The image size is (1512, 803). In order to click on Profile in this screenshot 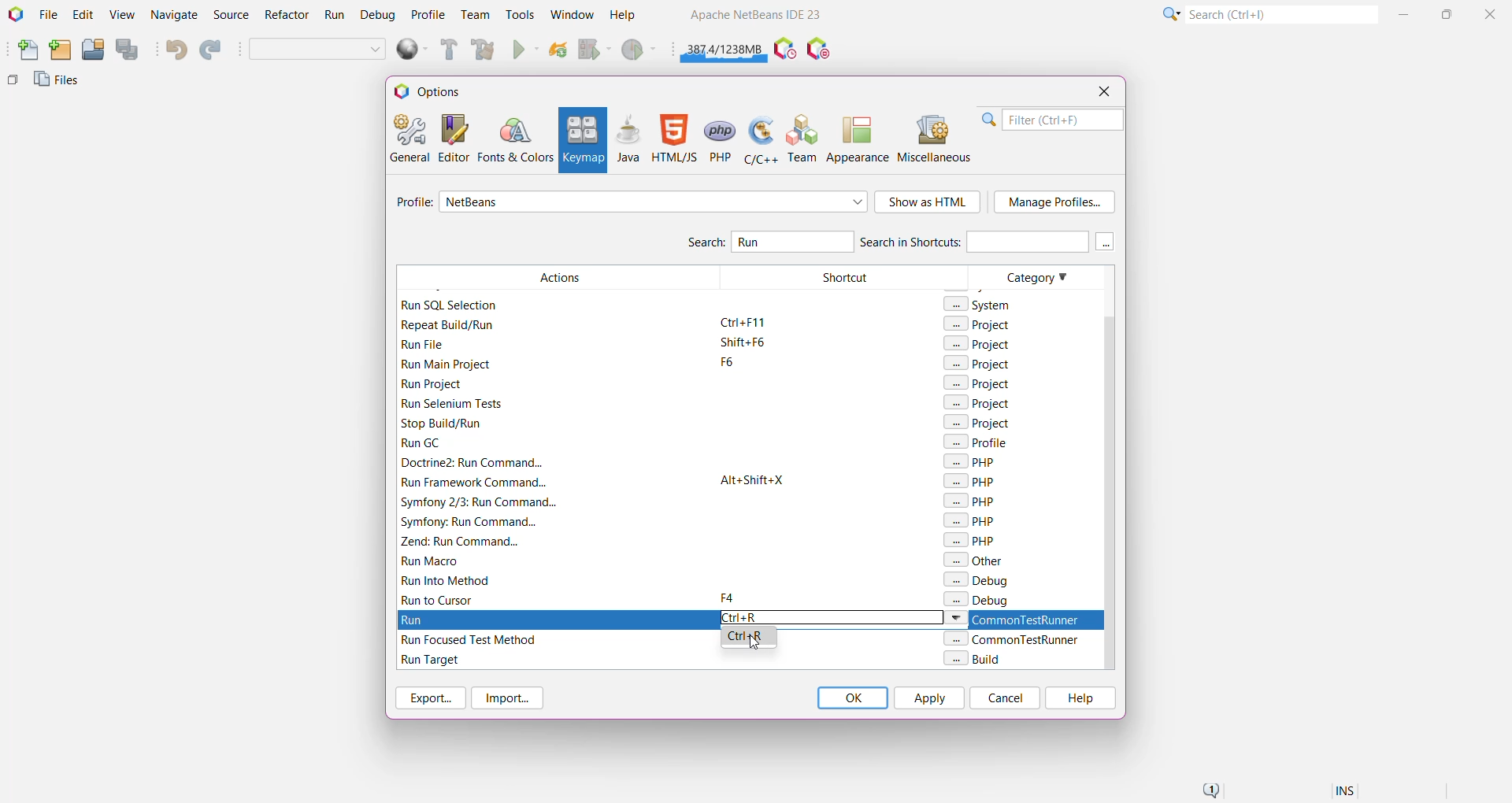, I will do `click(428, 14)`.